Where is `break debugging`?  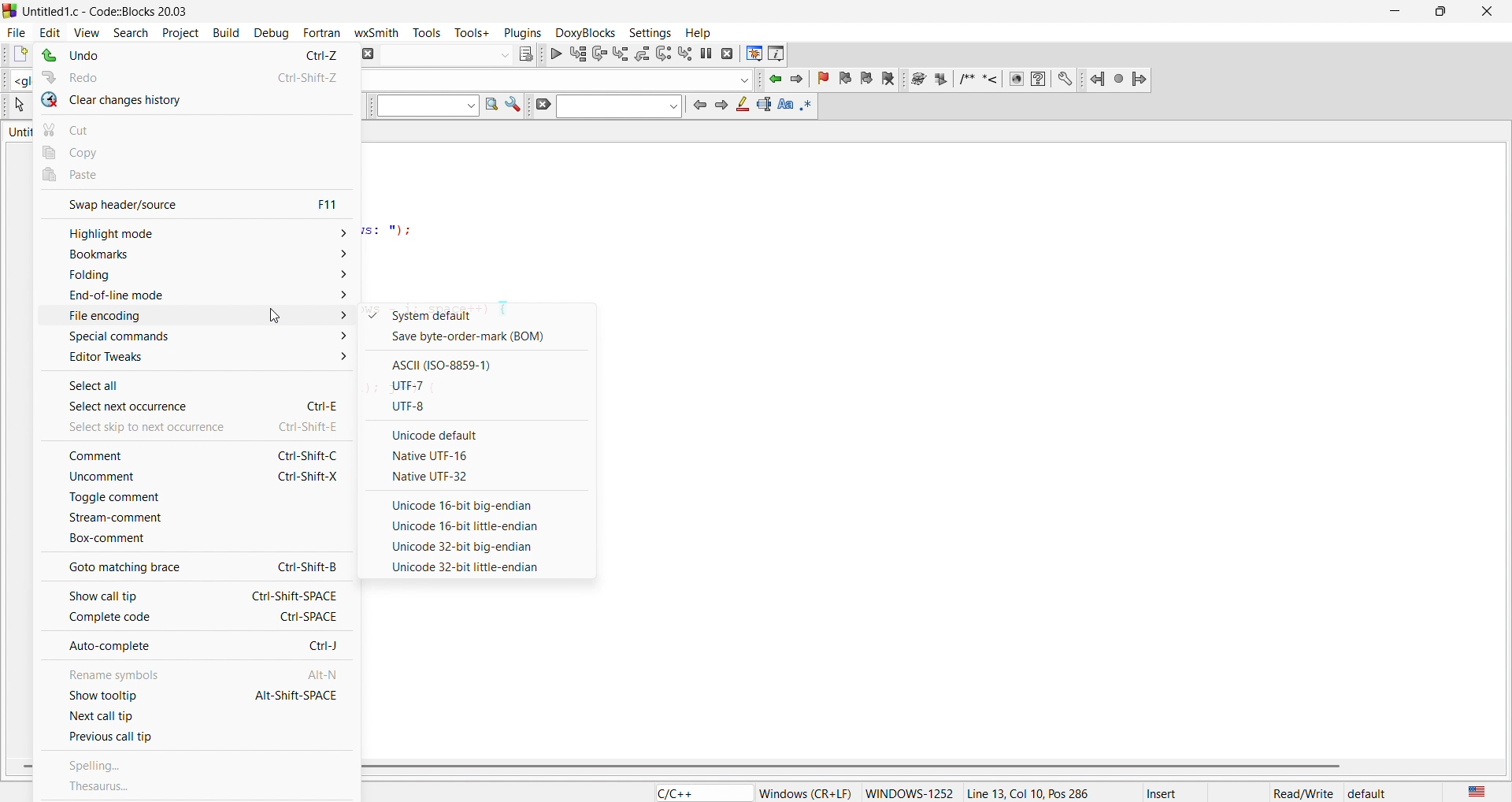 break debugging is located at coordinates (706, 52).